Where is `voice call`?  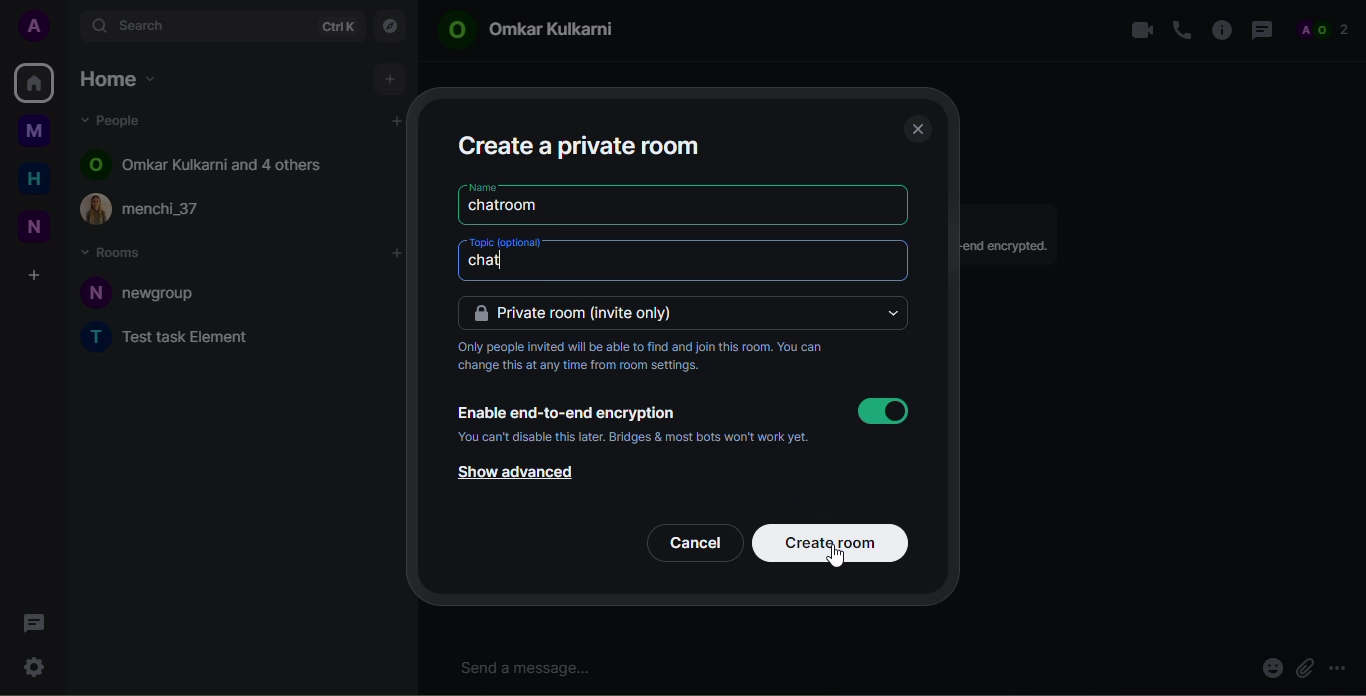 voice call is located at coordinates (1181, 30).